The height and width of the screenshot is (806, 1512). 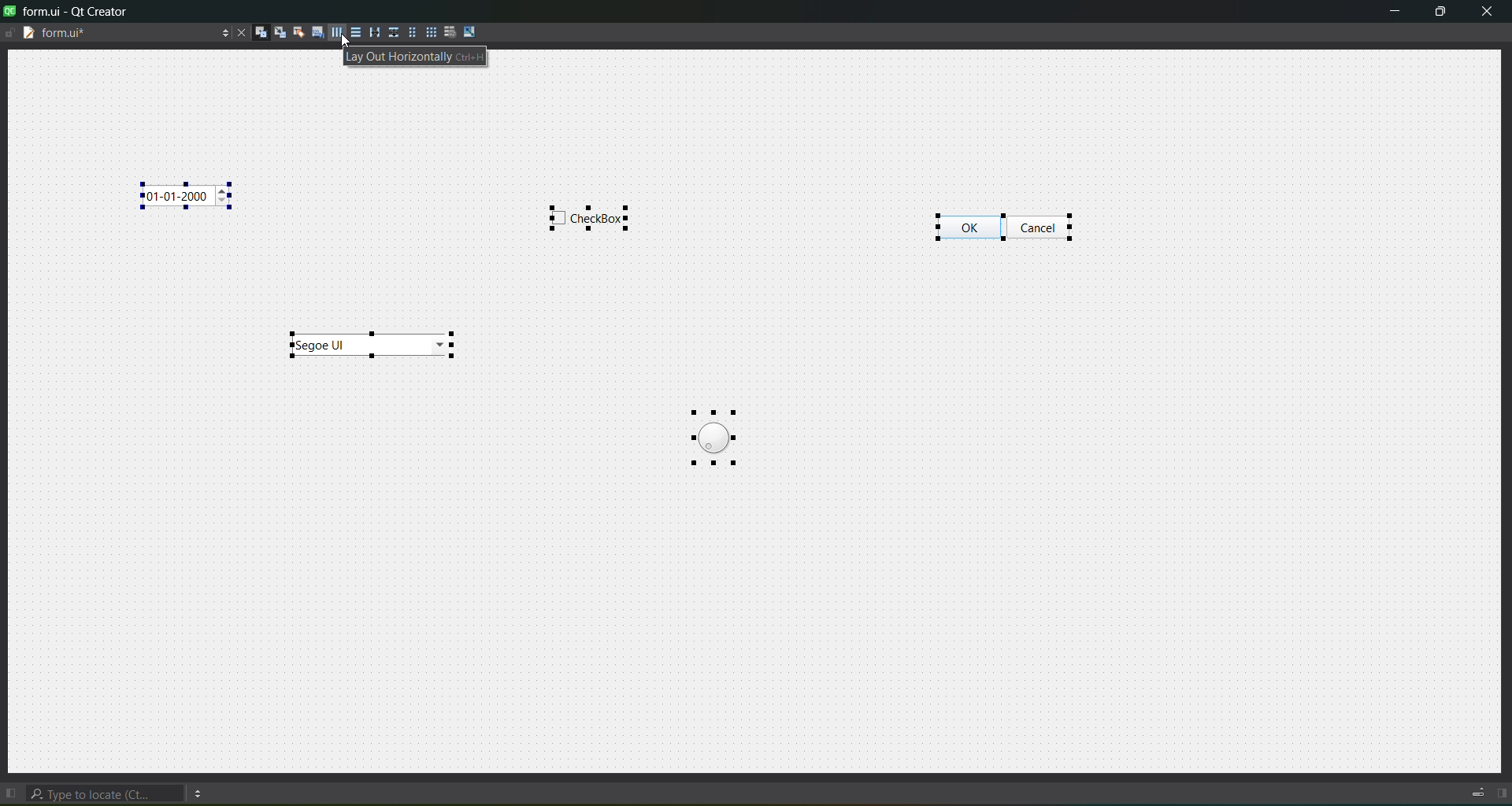 I want to click on layout in a form, so click(x=409, y=33).